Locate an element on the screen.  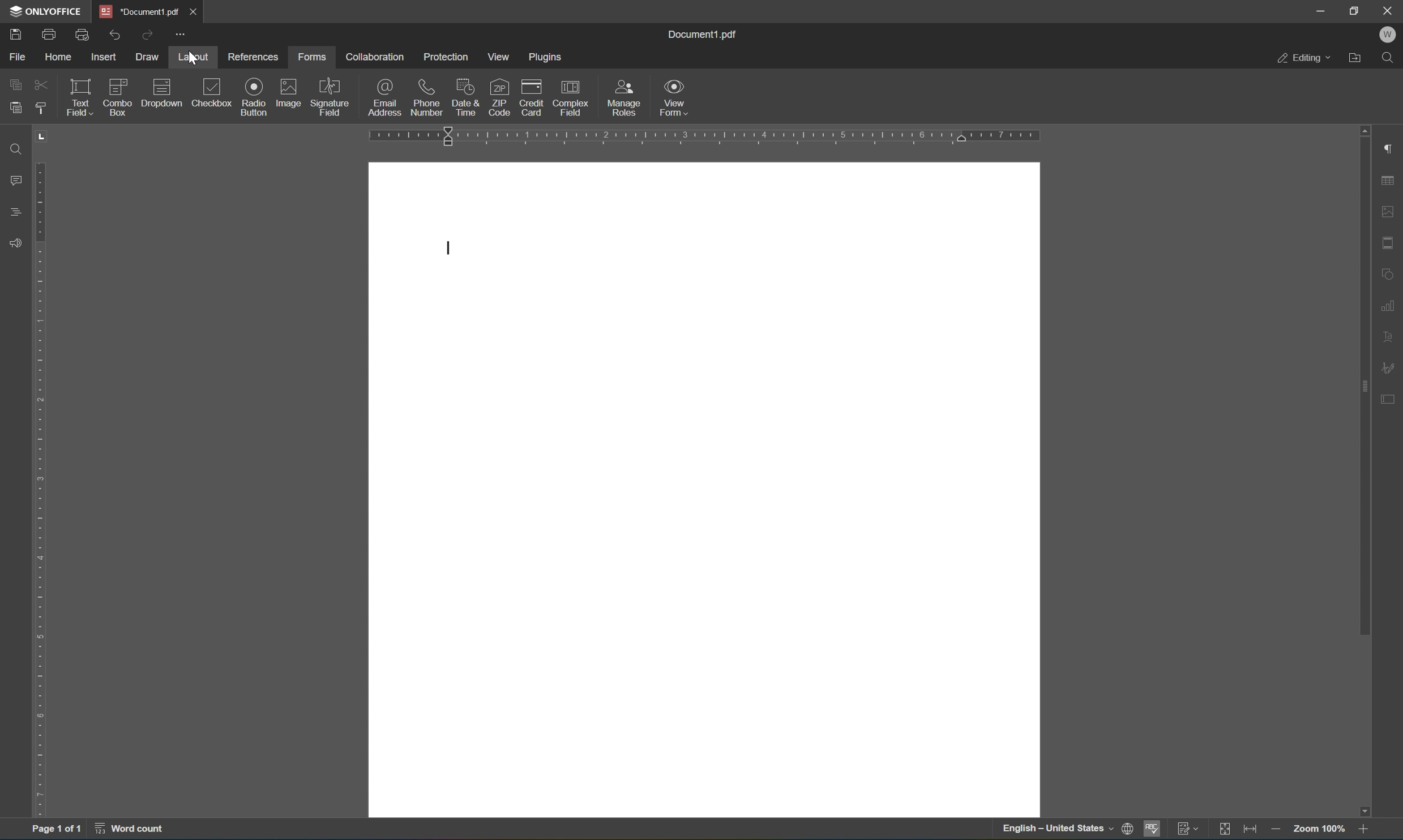
cursor is located at coordinates (192, 62).